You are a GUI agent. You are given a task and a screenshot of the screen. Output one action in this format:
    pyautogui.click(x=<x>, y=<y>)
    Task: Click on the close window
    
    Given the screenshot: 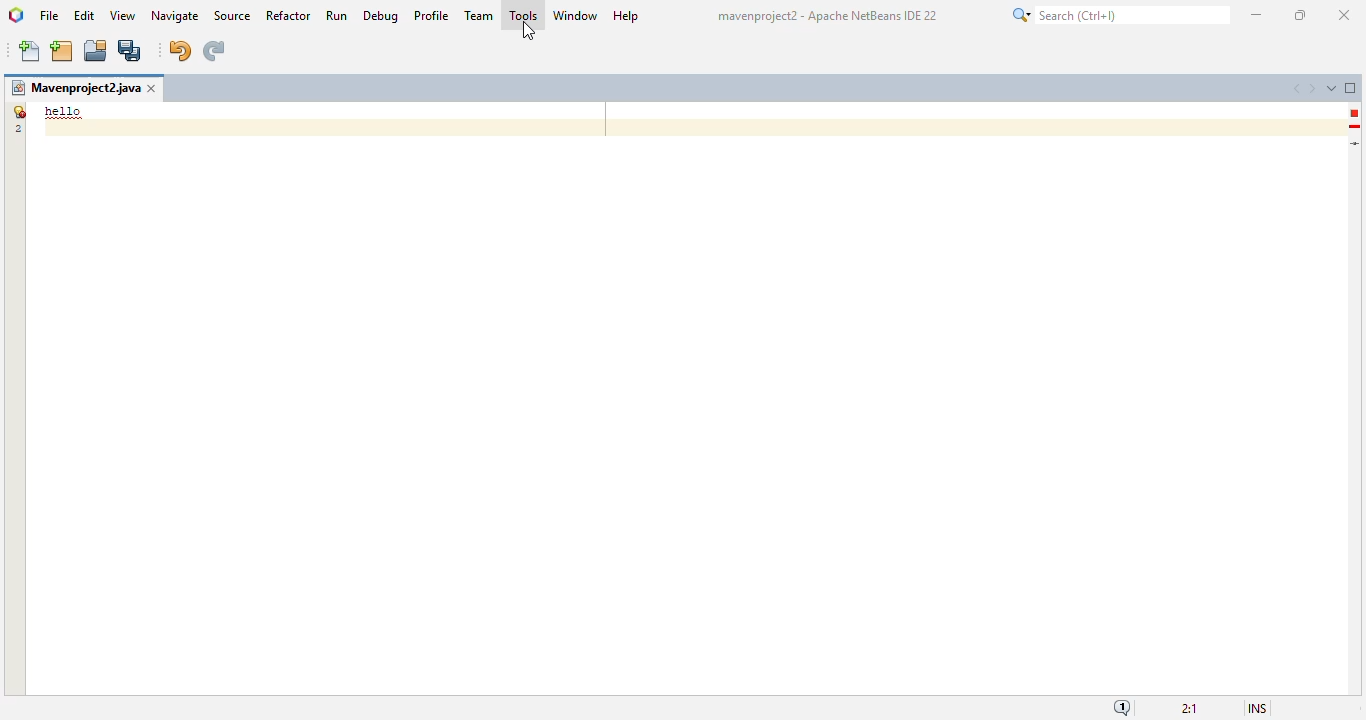 What is the action you would take?
    pyautogui.click(x=153, y=88)
    